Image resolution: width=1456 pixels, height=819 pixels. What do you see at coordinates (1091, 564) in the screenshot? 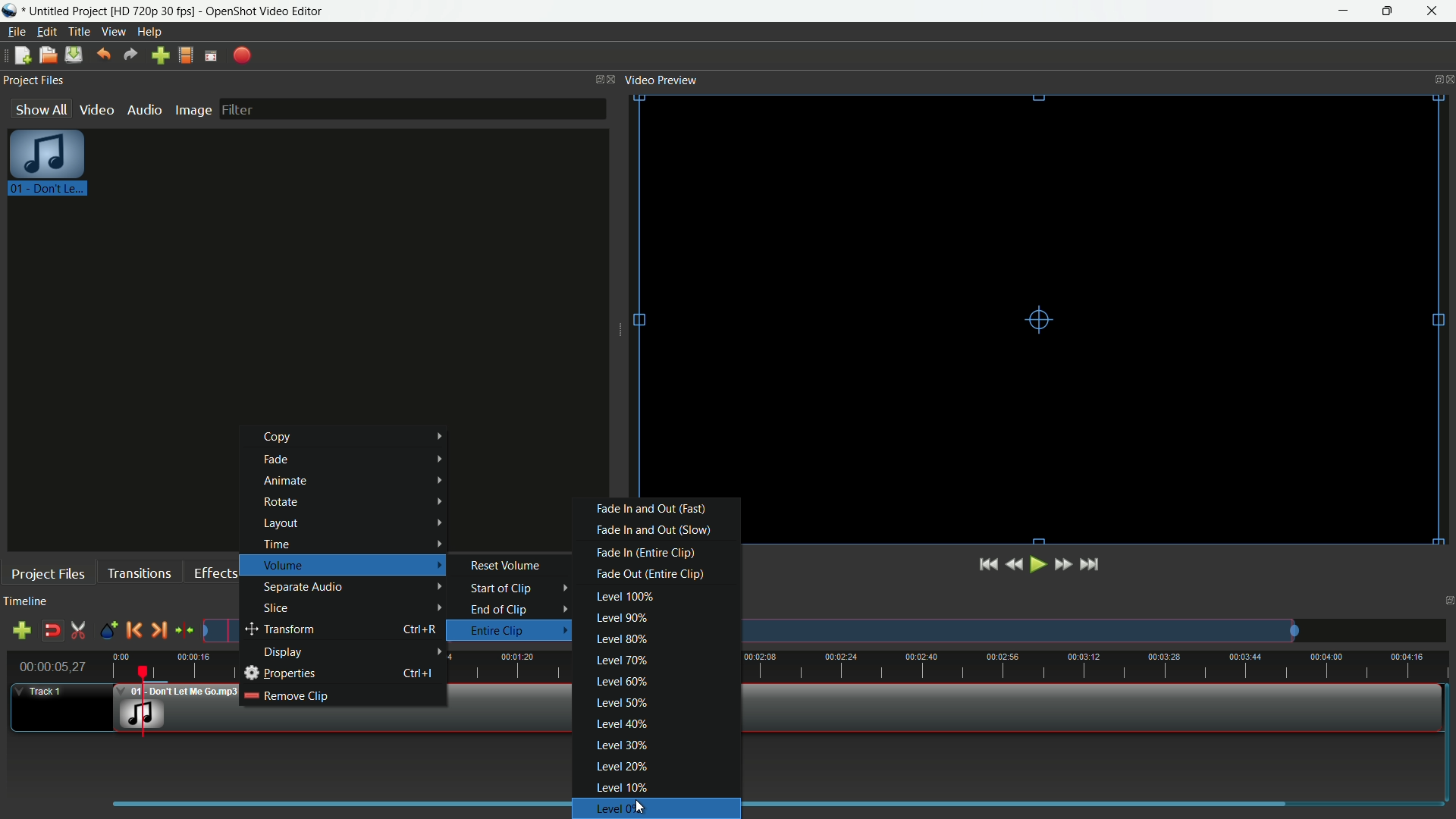
I see `jump to end` at bounding box center [1091, 564].